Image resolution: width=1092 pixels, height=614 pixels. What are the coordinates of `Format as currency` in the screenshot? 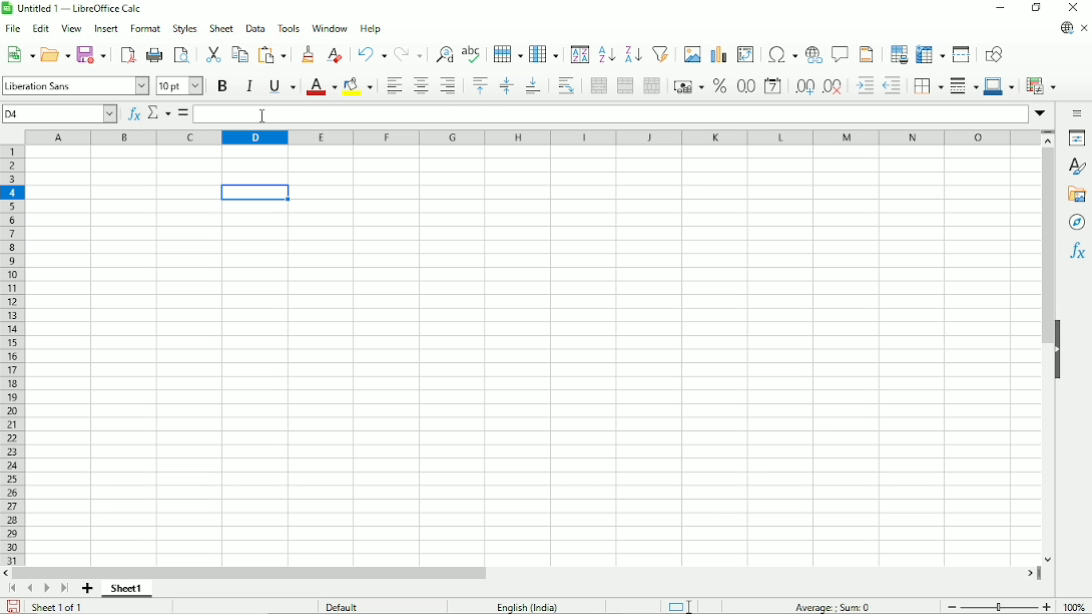 It's located at (689, 87).